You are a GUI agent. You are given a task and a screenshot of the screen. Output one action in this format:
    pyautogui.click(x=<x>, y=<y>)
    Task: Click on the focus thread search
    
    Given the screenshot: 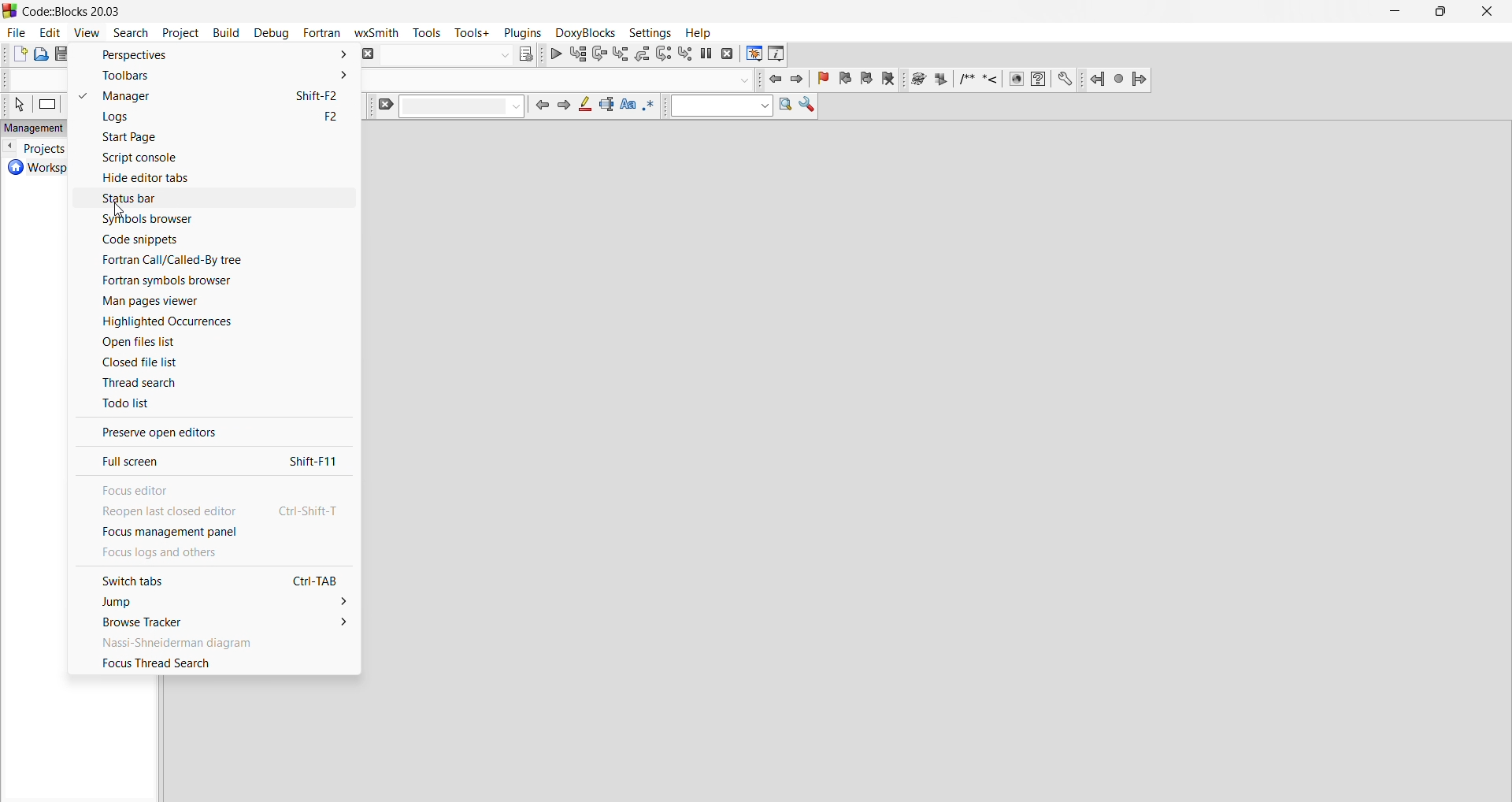 What is the action you would take?
    pyautogui.click(x=215, y=663)
    